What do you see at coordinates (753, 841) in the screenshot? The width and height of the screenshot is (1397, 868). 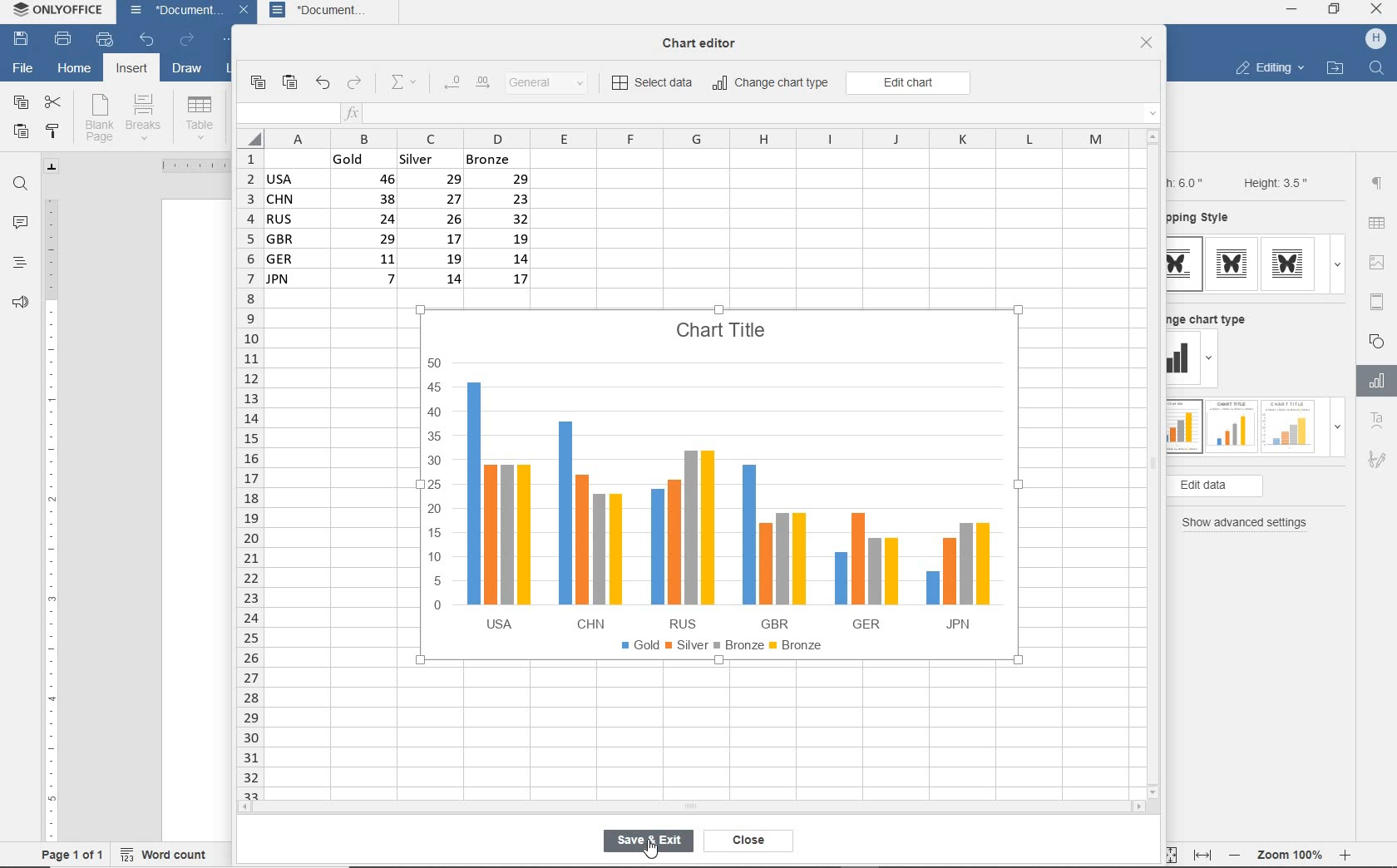 I see `close` at bounding box center [753, 841].